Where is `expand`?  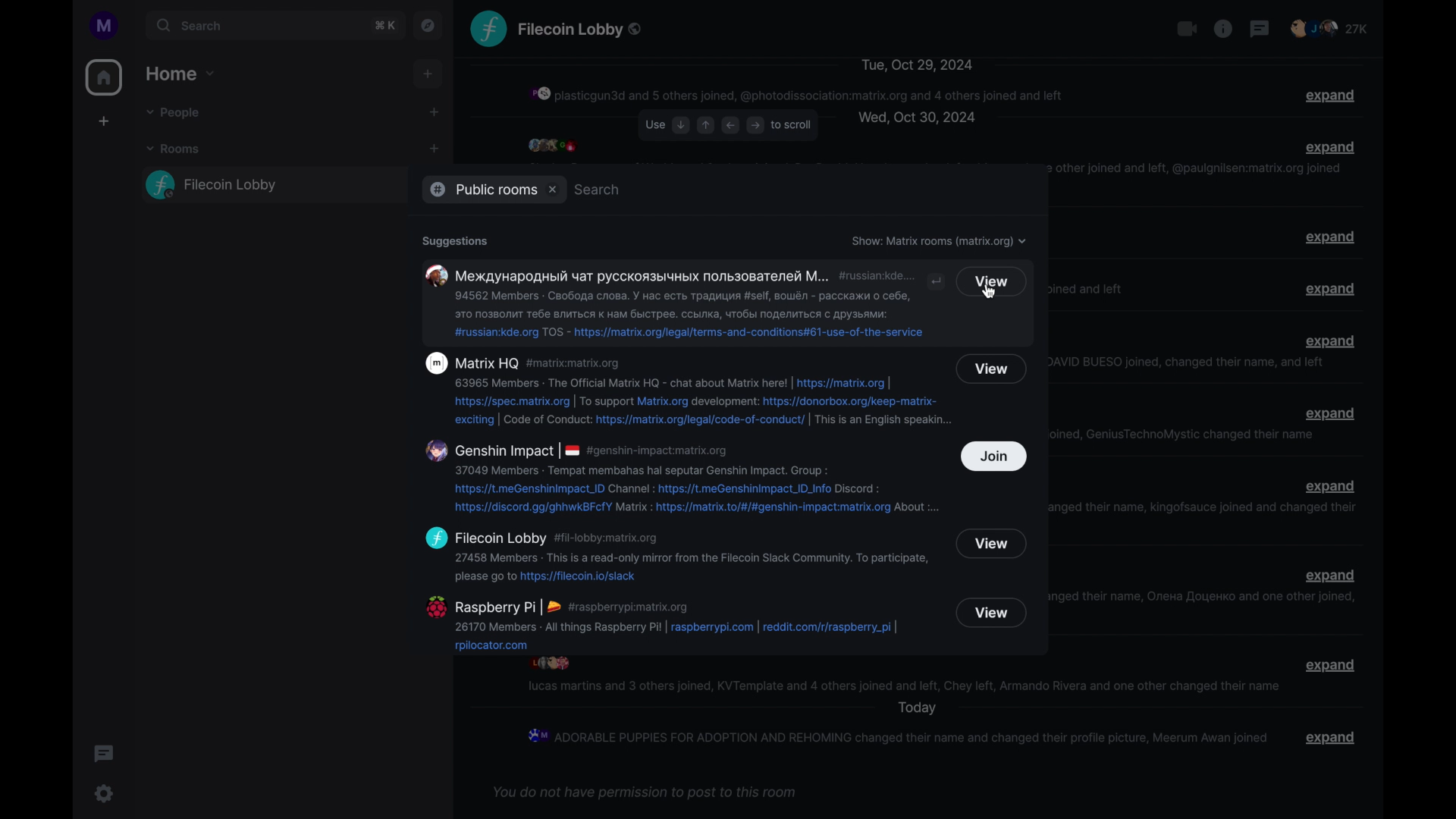 expand is located at coordinates (1331, 486).